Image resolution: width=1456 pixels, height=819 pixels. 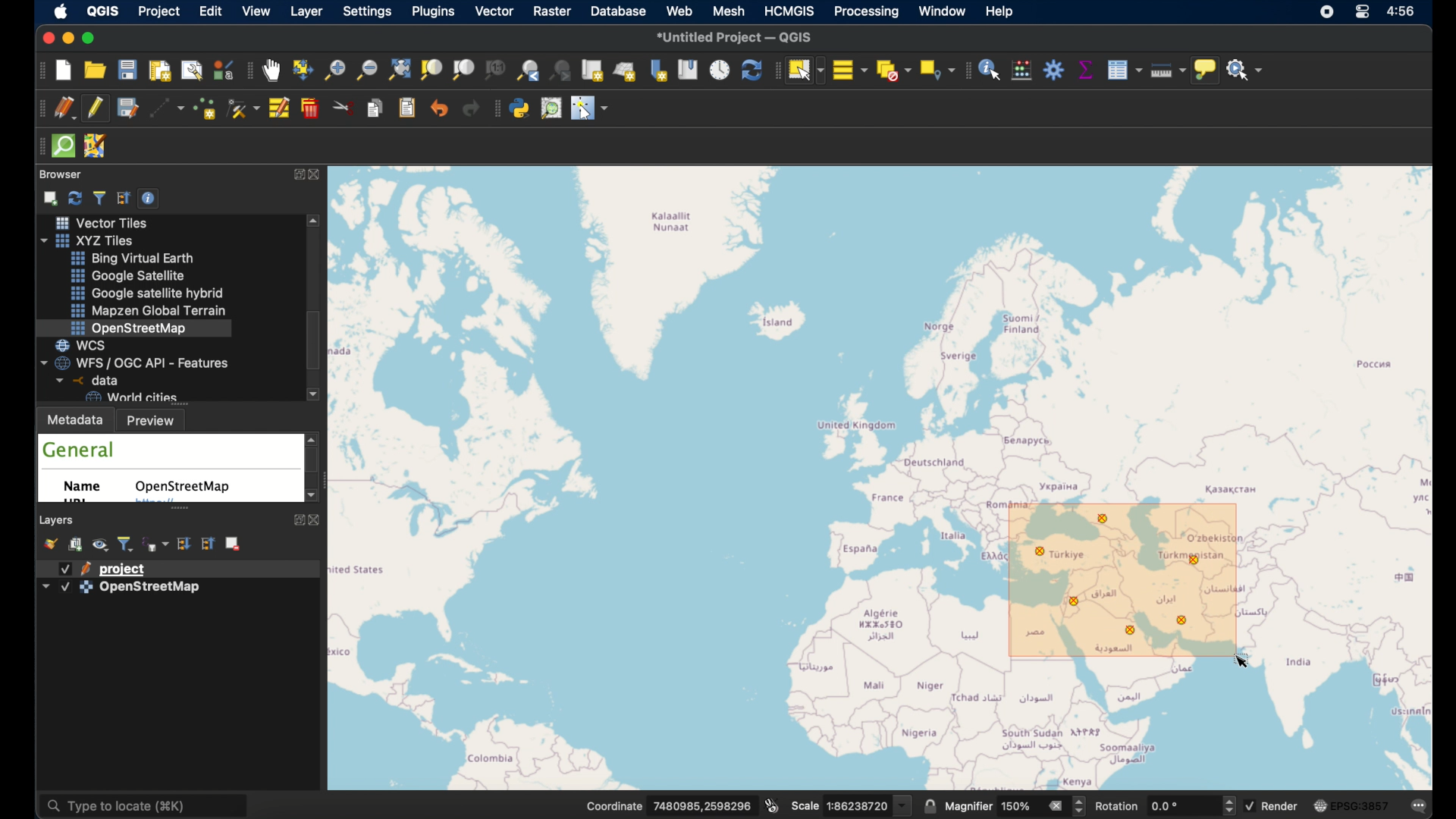 I want to click on paste features, so click(x=409, y=109).